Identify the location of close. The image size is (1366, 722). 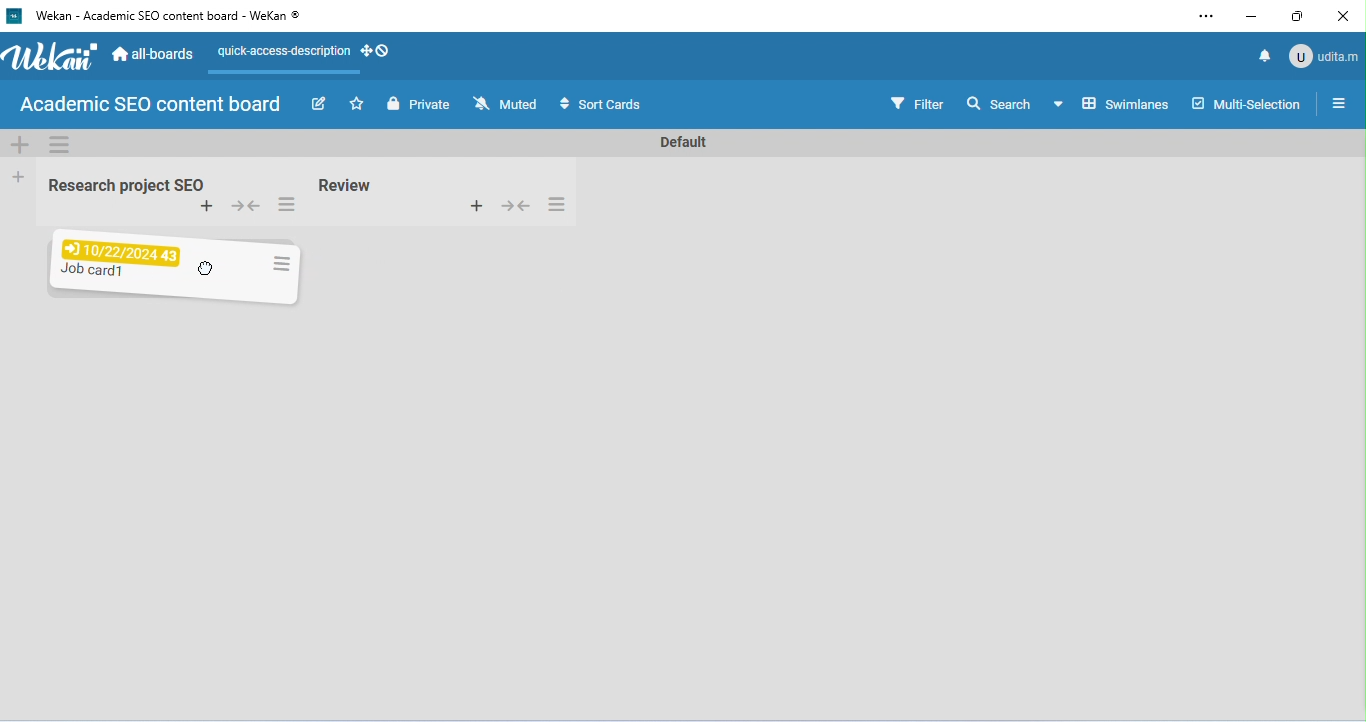
(1340, 17).